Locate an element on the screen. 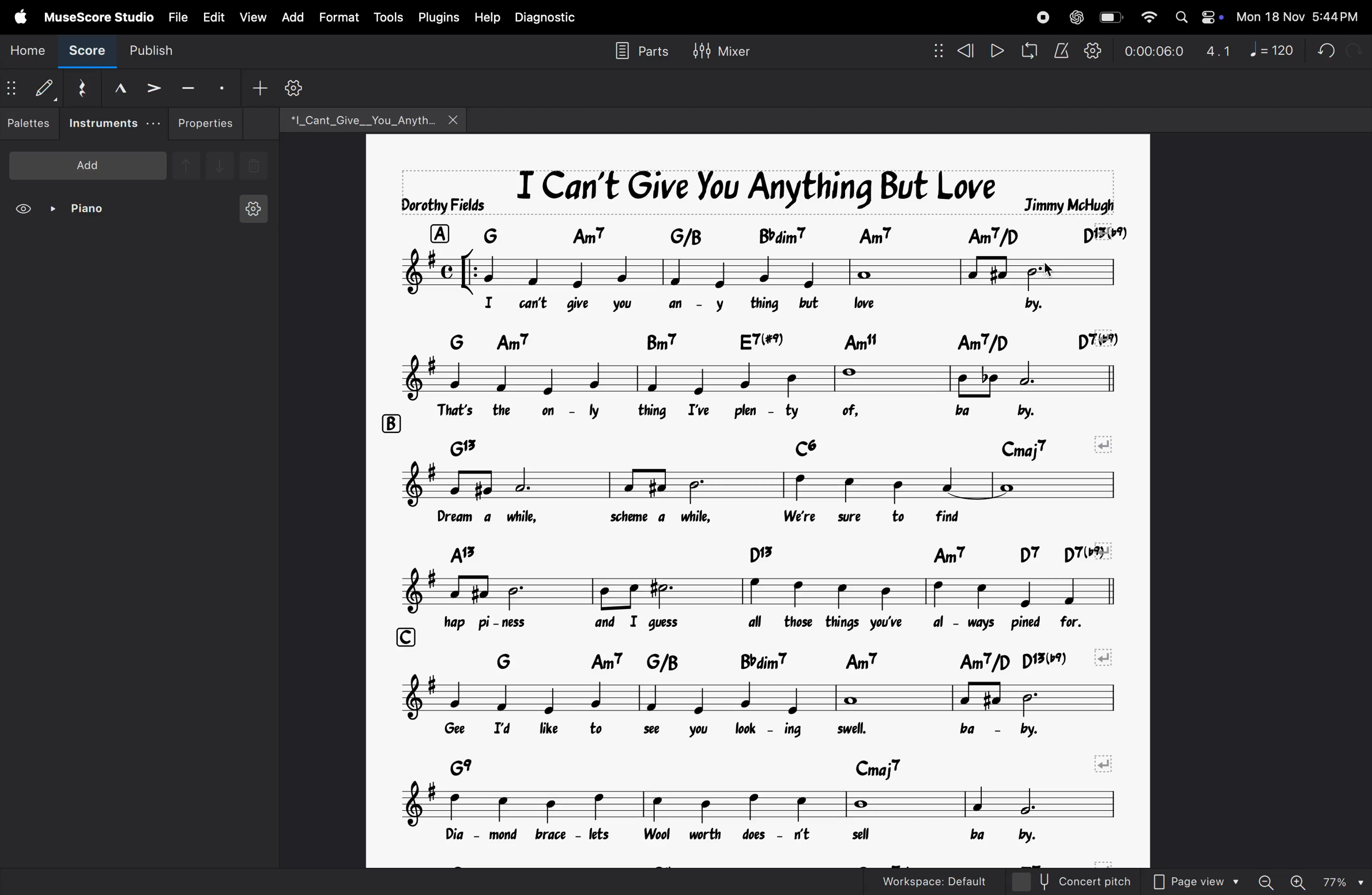 The height and width of the screenshot is (895, 1372). playback settings is located at coordinates (1094, 51).